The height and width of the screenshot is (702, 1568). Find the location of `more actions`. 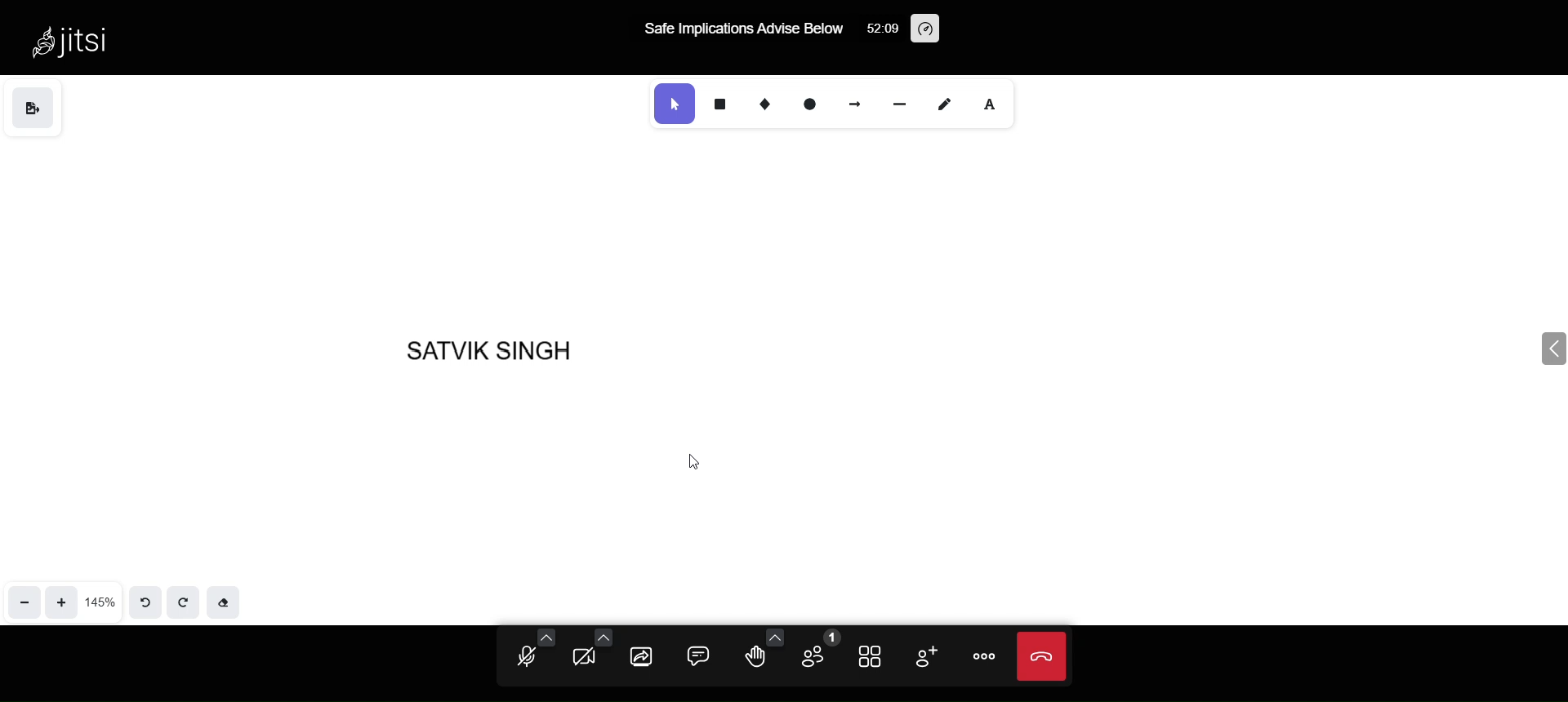

more actions is located at coordinates (979, 657).